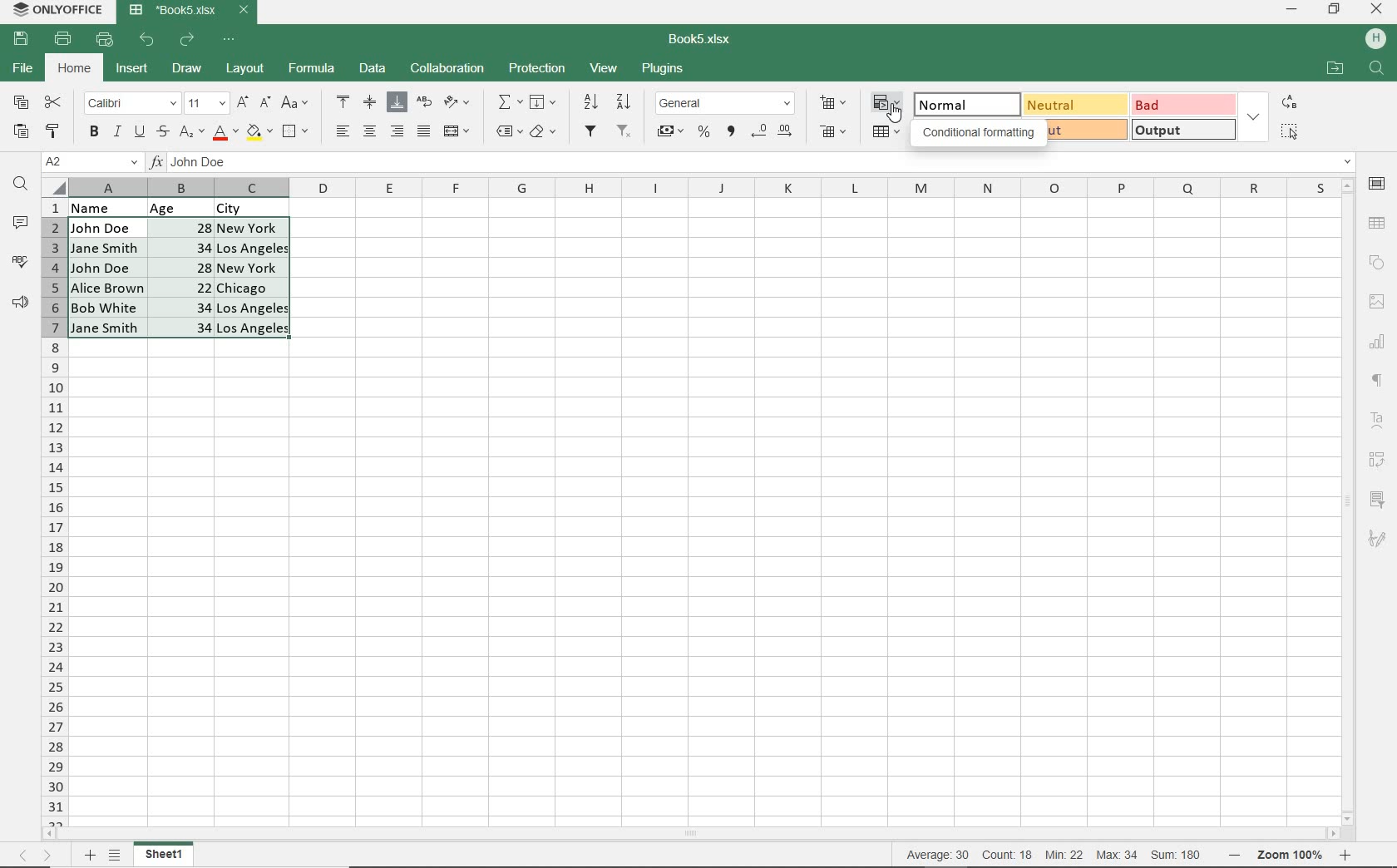 The height and width of the screenshot is (868, 1397). What do you see at coordinates (54, 511) in the screenshot?
I see `COLUMNS` at bounding box center [54, 511].